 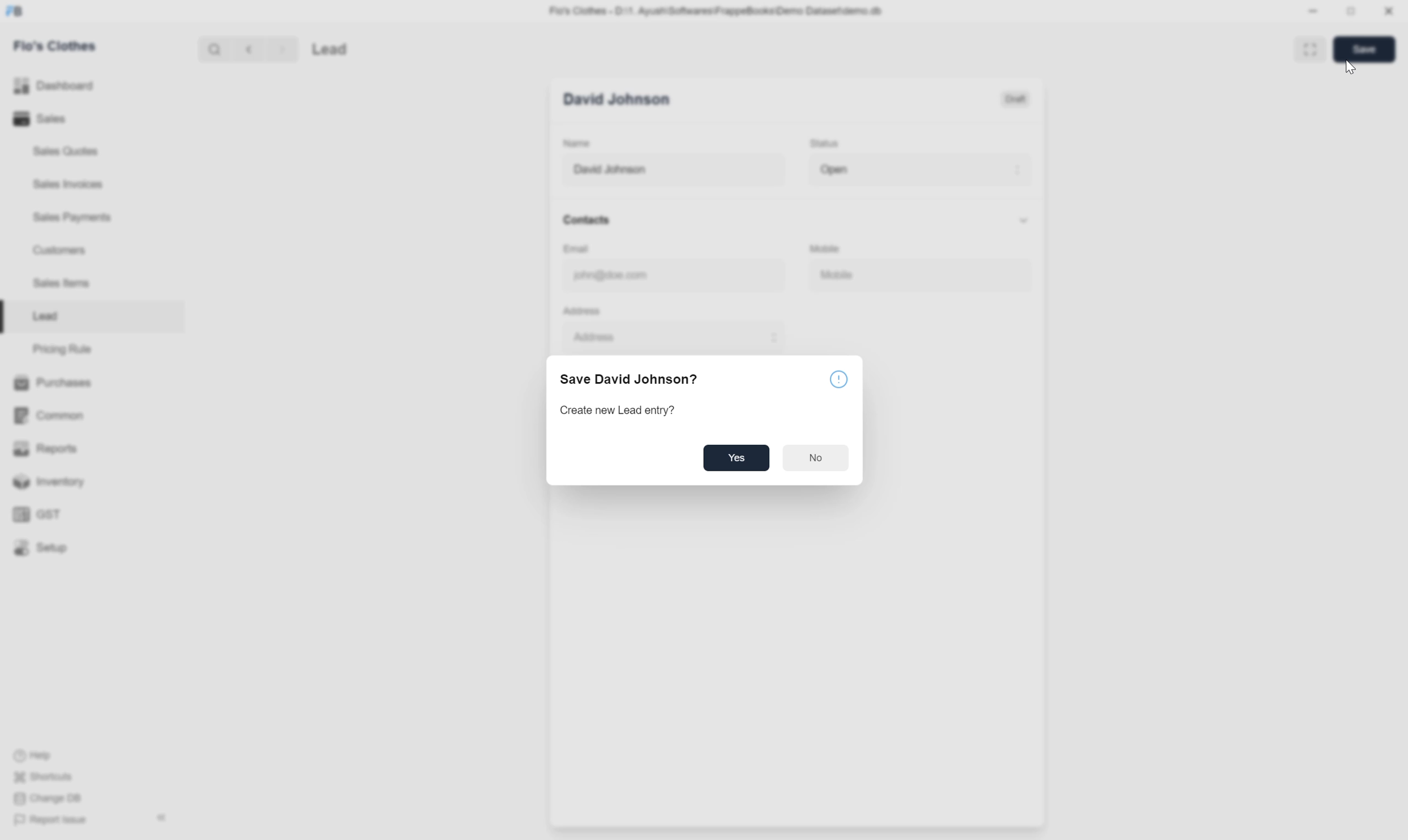 I want to click on Create new Lead entry?, so click(x=619, y=410).